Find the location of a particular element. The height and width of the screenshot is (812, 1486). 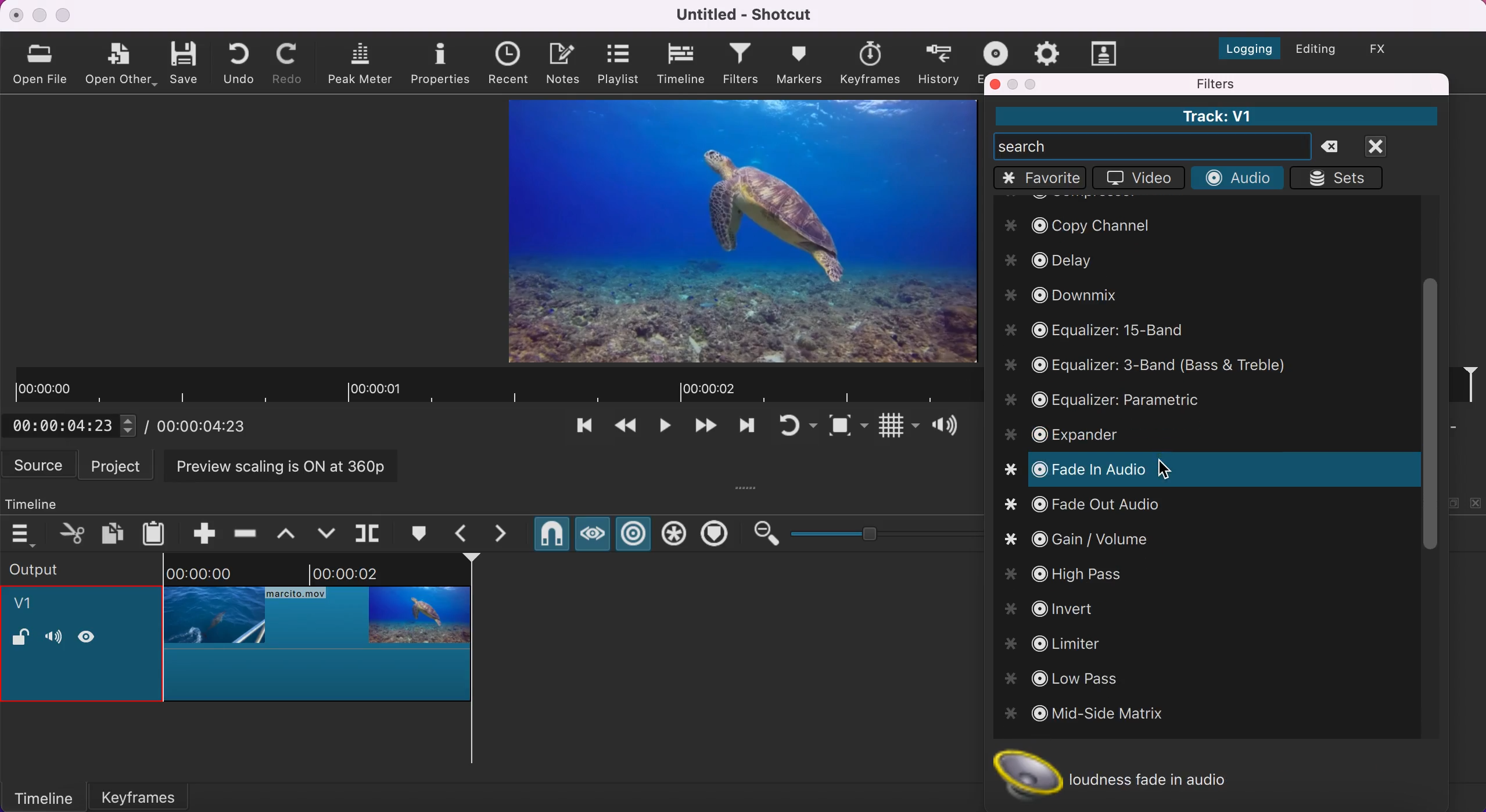

equalizer: 15-band is located at coordinates (1101, 332).